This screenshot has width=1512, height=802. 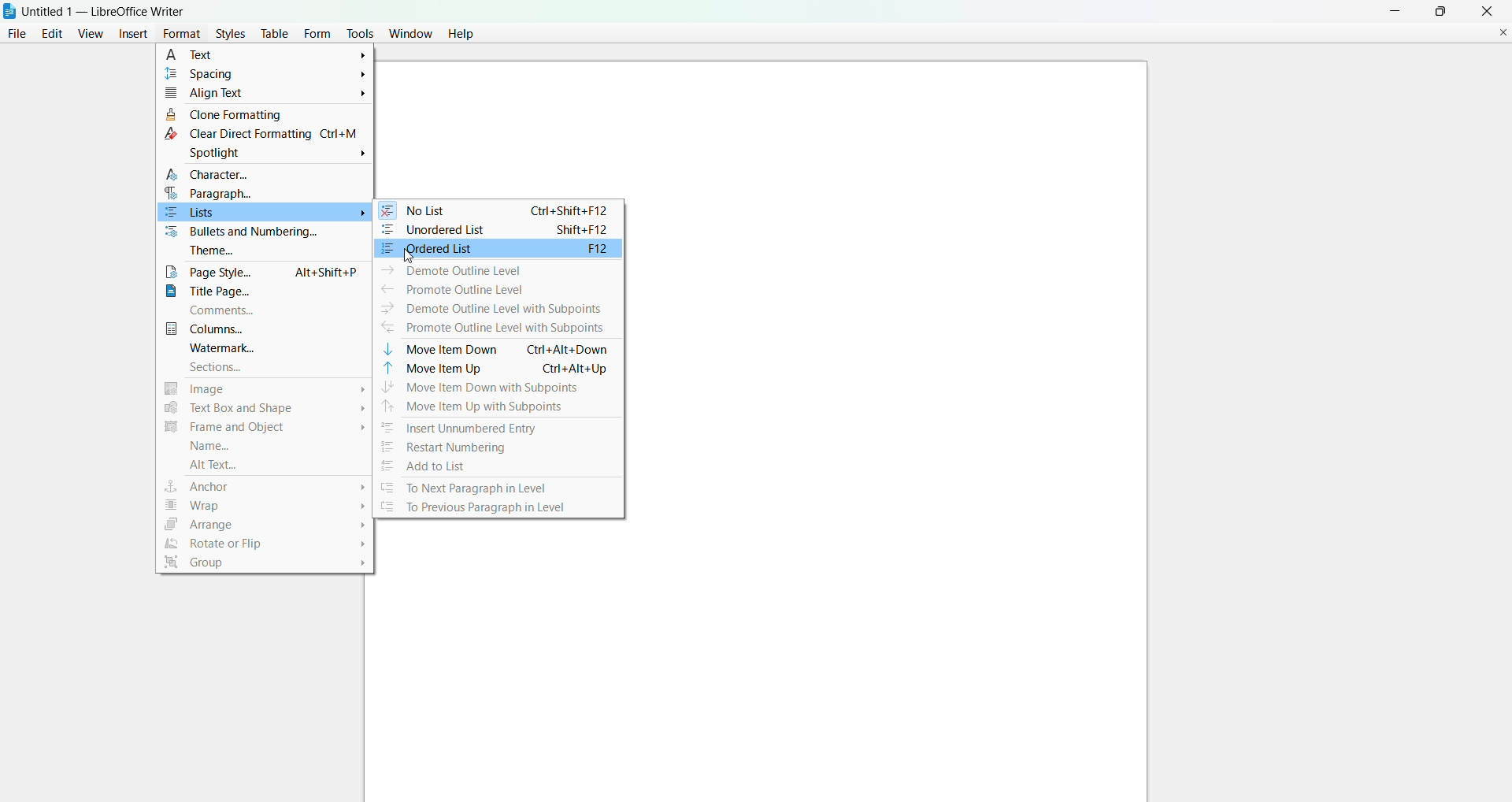 I want to click on anchor, so click(x=261, y=489).